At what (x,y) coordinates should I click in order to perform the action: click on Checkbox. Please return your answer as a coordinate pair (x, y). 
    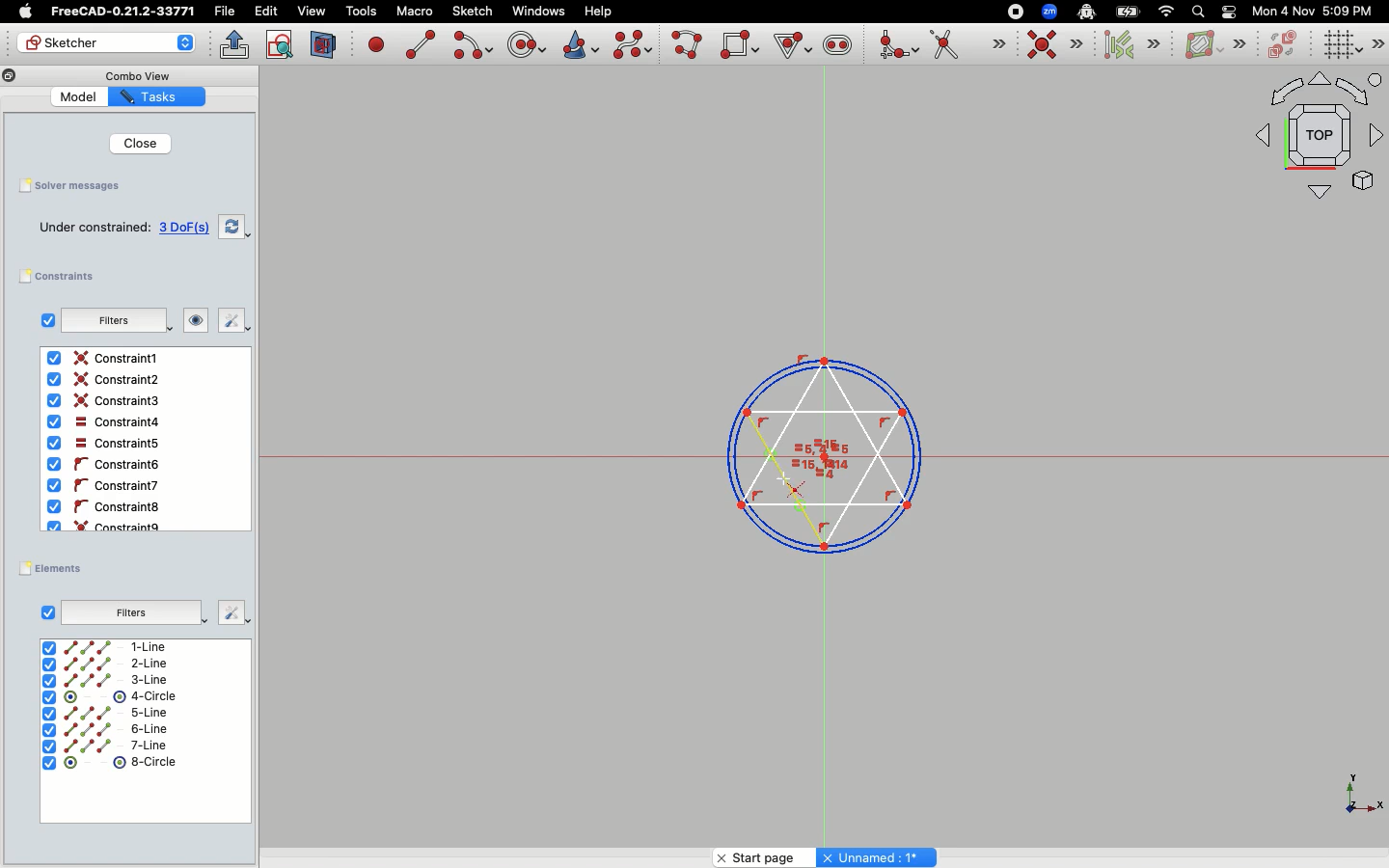
    Looking at the image, I should click on (48, 611).